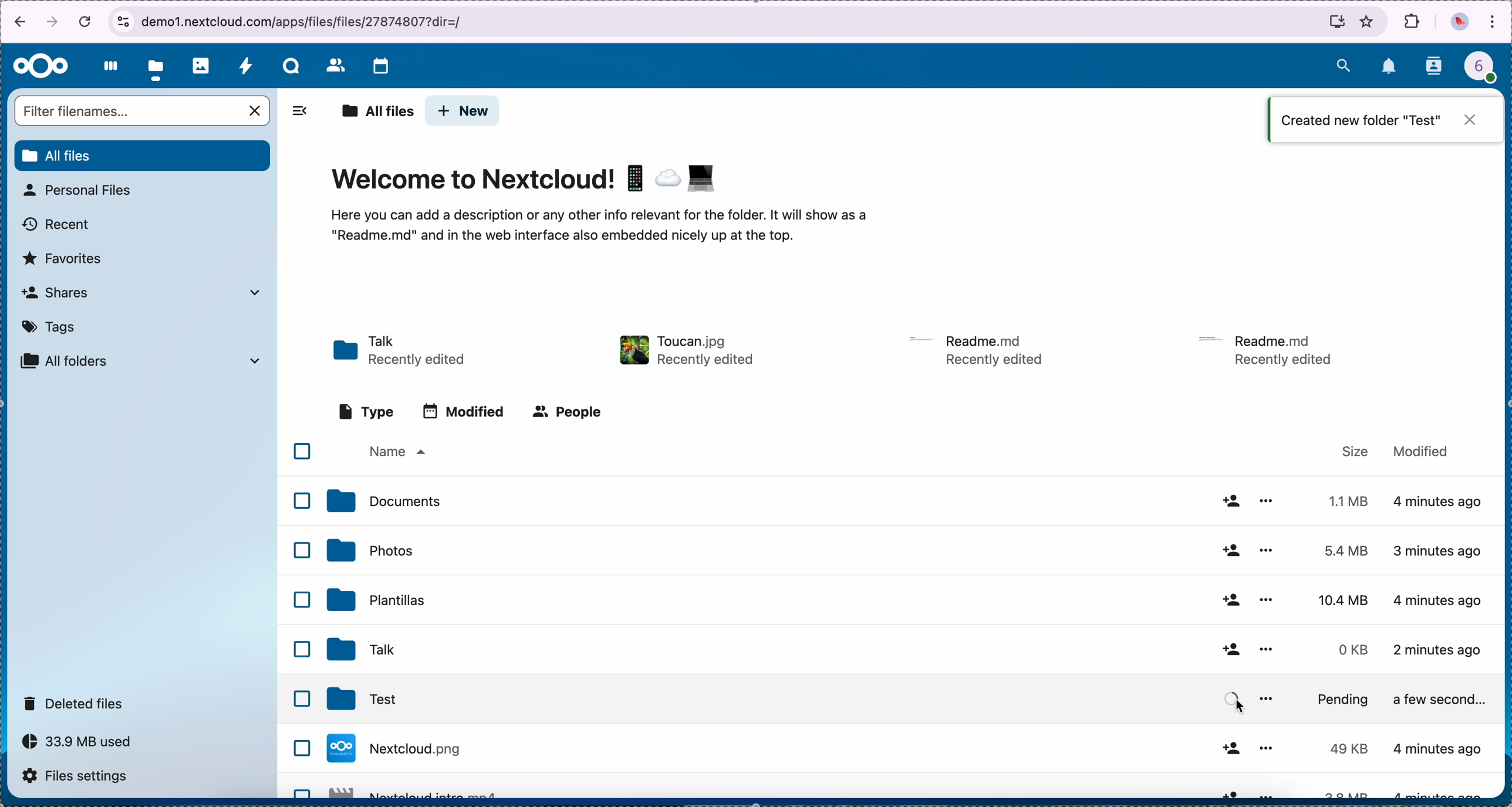 Image resolution: width=1512 pixels, height=807 pixels. I want to click on 0 KB, so click(1355, 650).